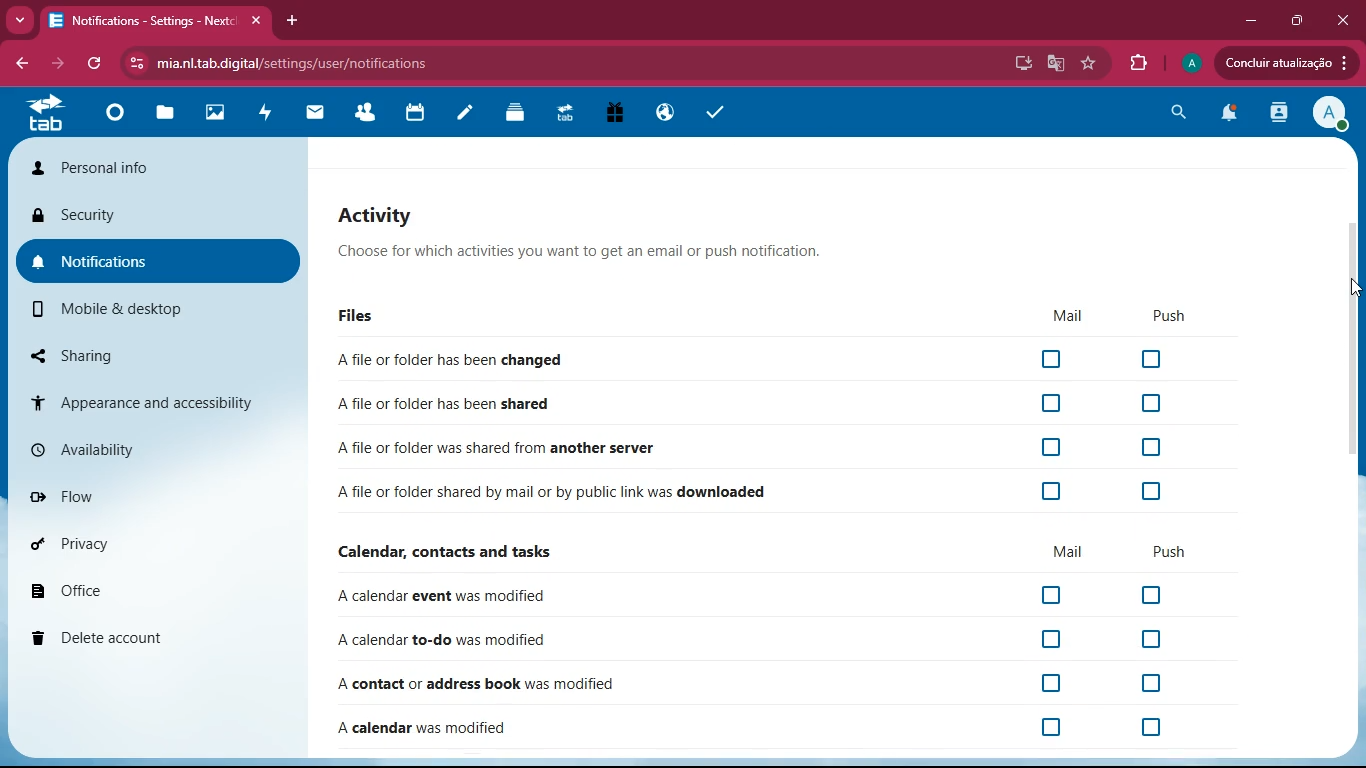 This screenshot has height=768, width=1366. Describe the element at coordinates (142, 311) in the screenshot. I see `mobile & desktop` at that location.